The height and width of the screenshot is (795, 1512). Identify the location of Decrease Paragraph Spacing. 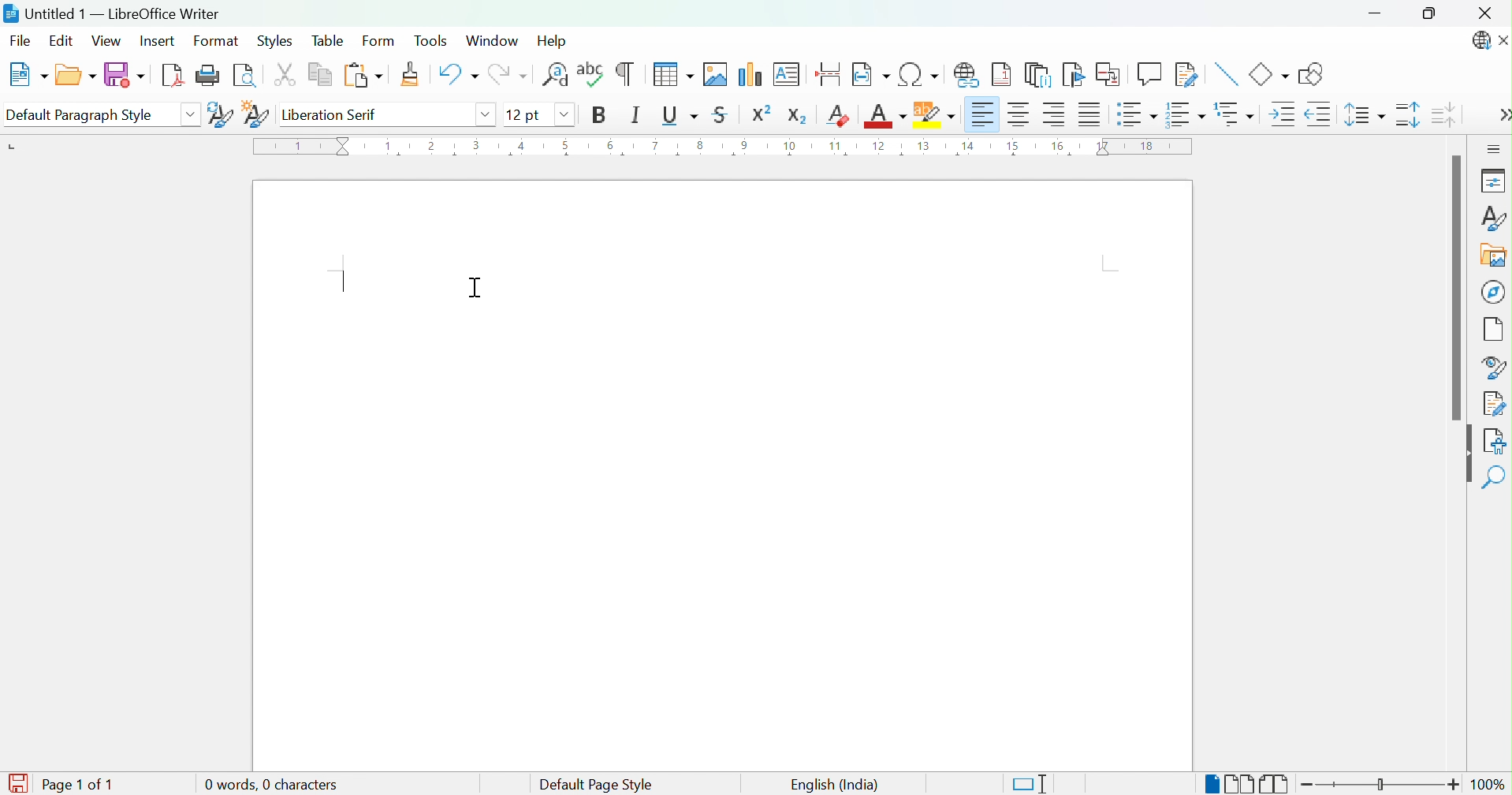
(1446, 114).